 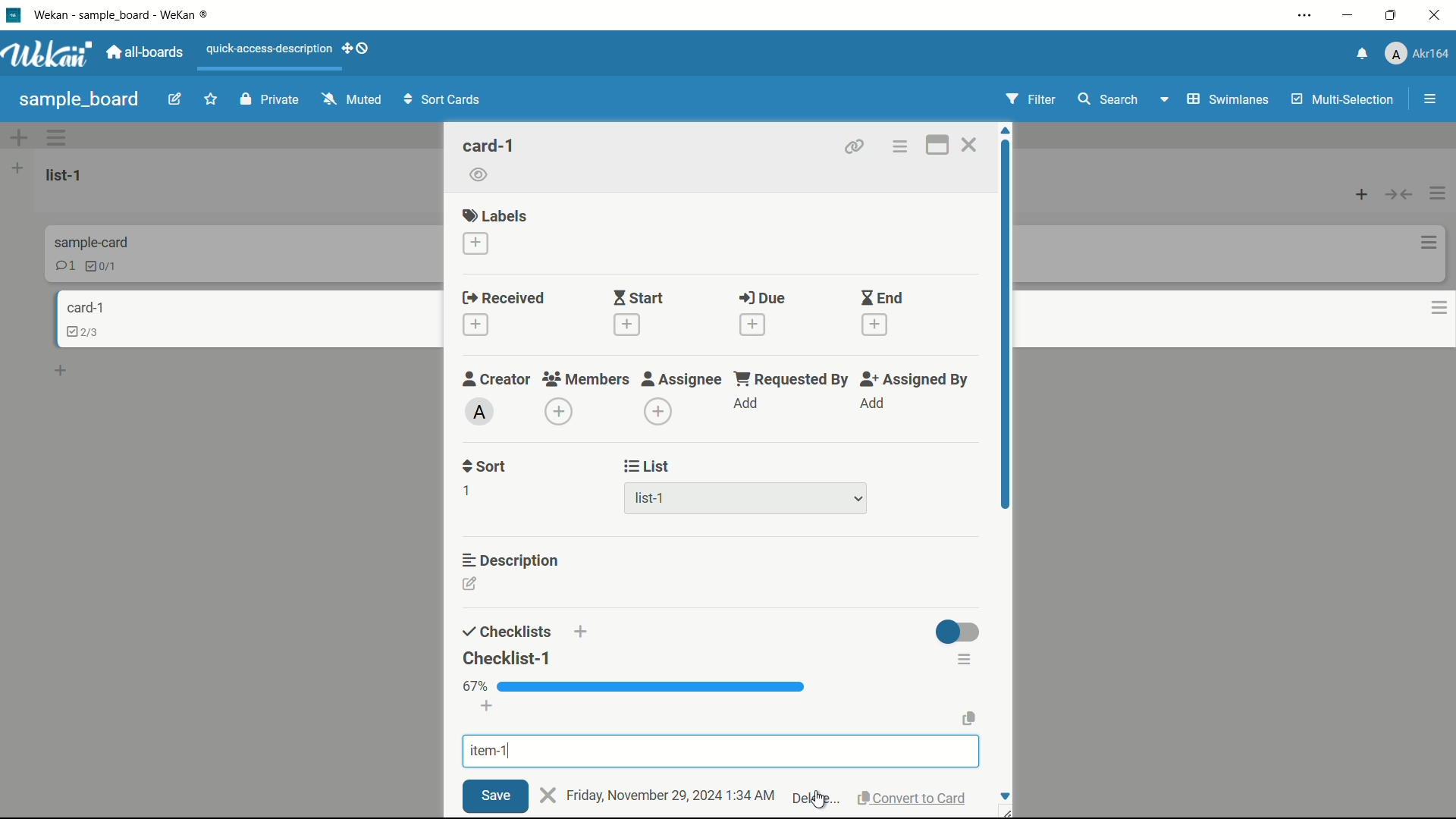 What do you see at coordinates (651, 686) in the screenshot?
I see `checklist progress bar` at bounding box center [651, 686].